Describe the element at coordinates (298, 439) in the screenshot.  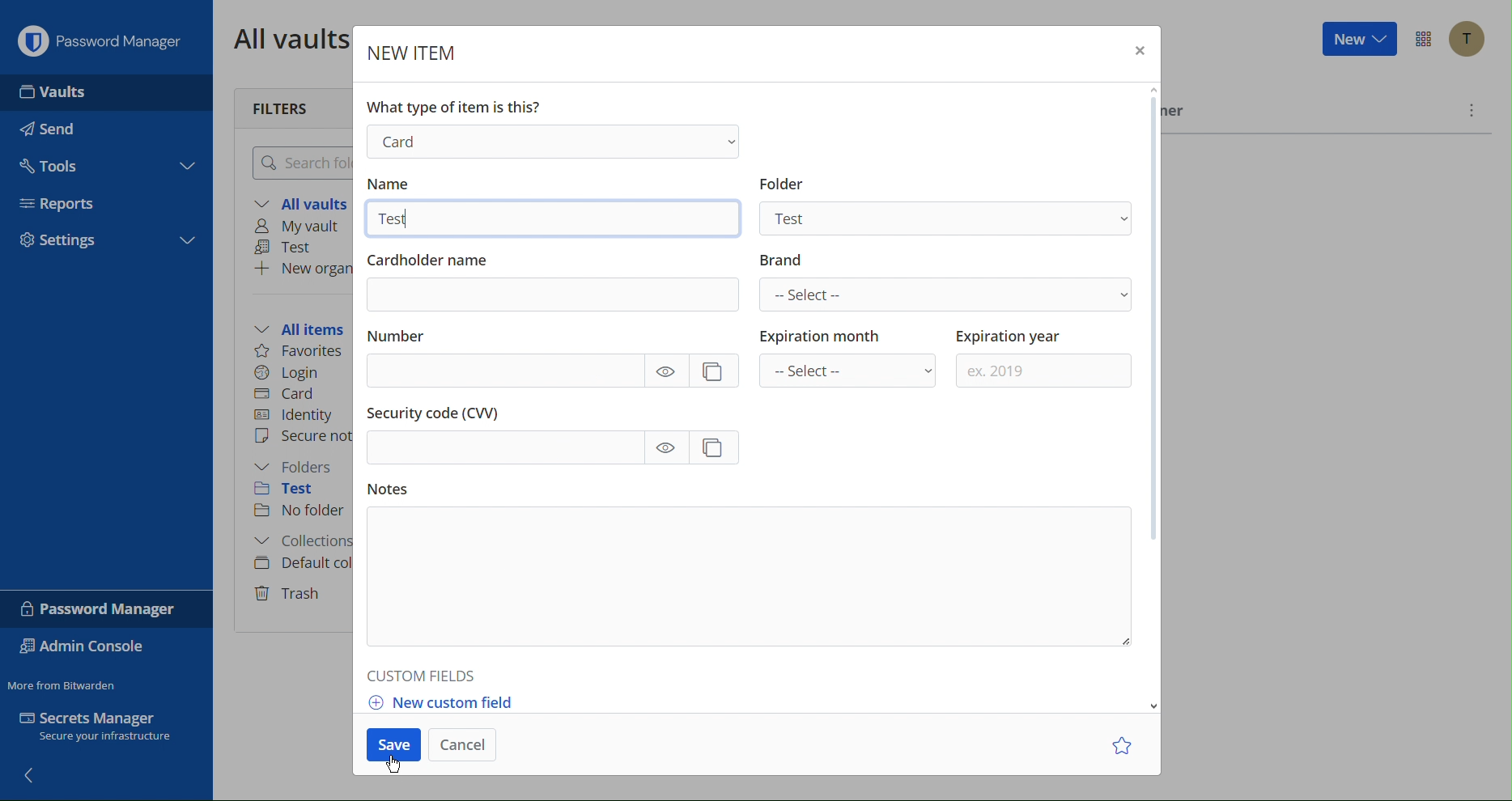
I see `Secure note` at that location.